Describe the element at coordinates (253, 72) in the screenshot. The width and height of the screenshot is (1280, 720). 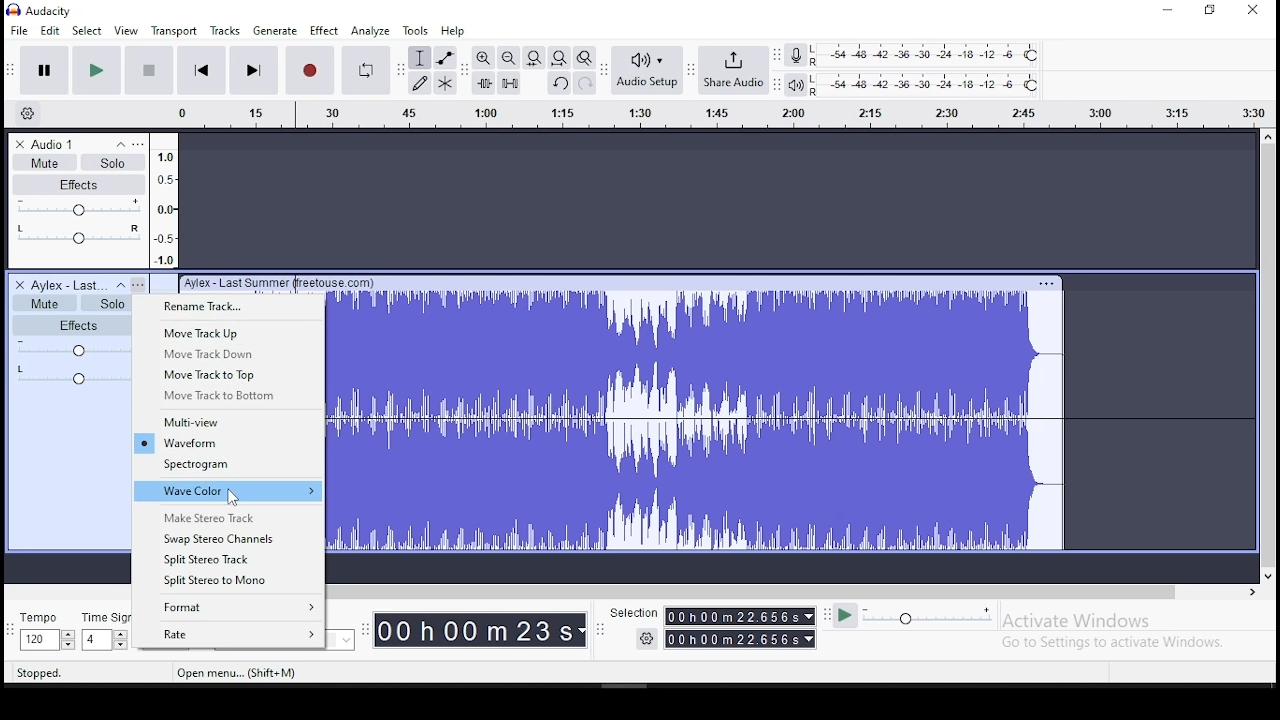
I see `skip to end` at that location.